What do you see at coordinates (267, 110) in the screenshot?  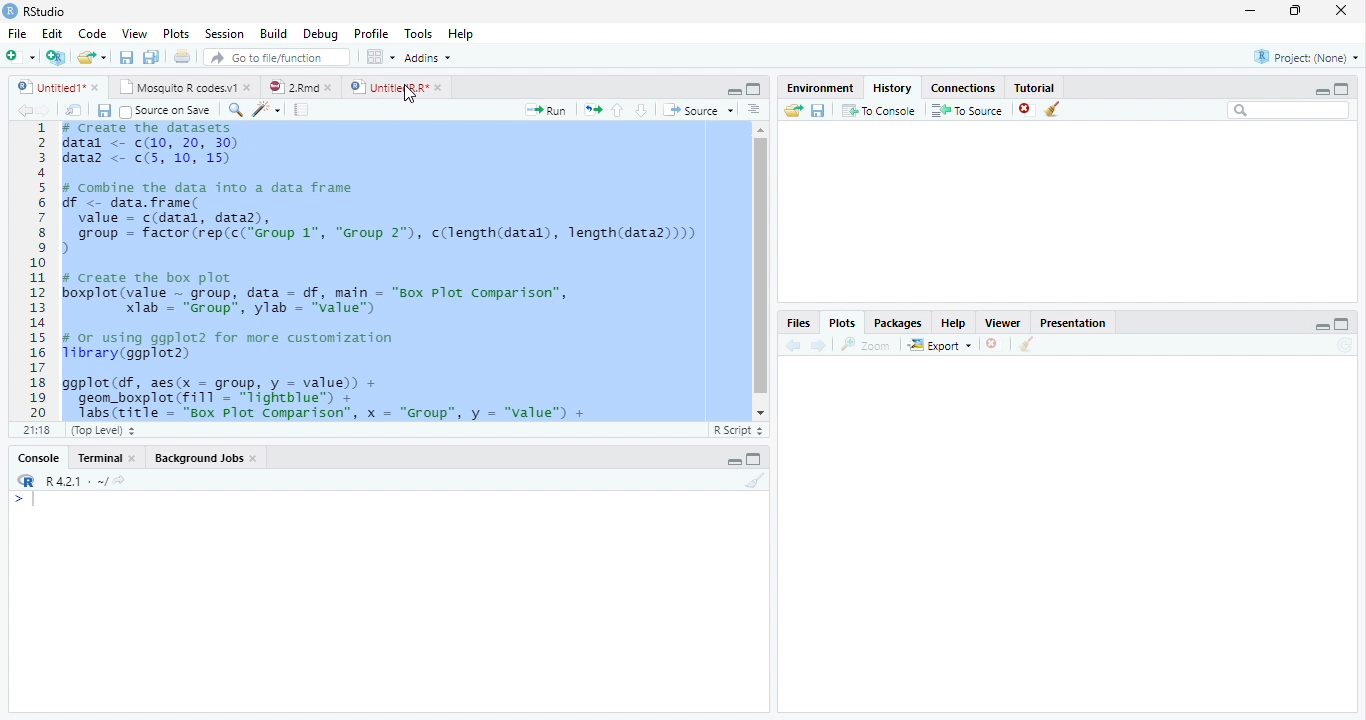 I see `Code tools` at bounding box center [267, 110].